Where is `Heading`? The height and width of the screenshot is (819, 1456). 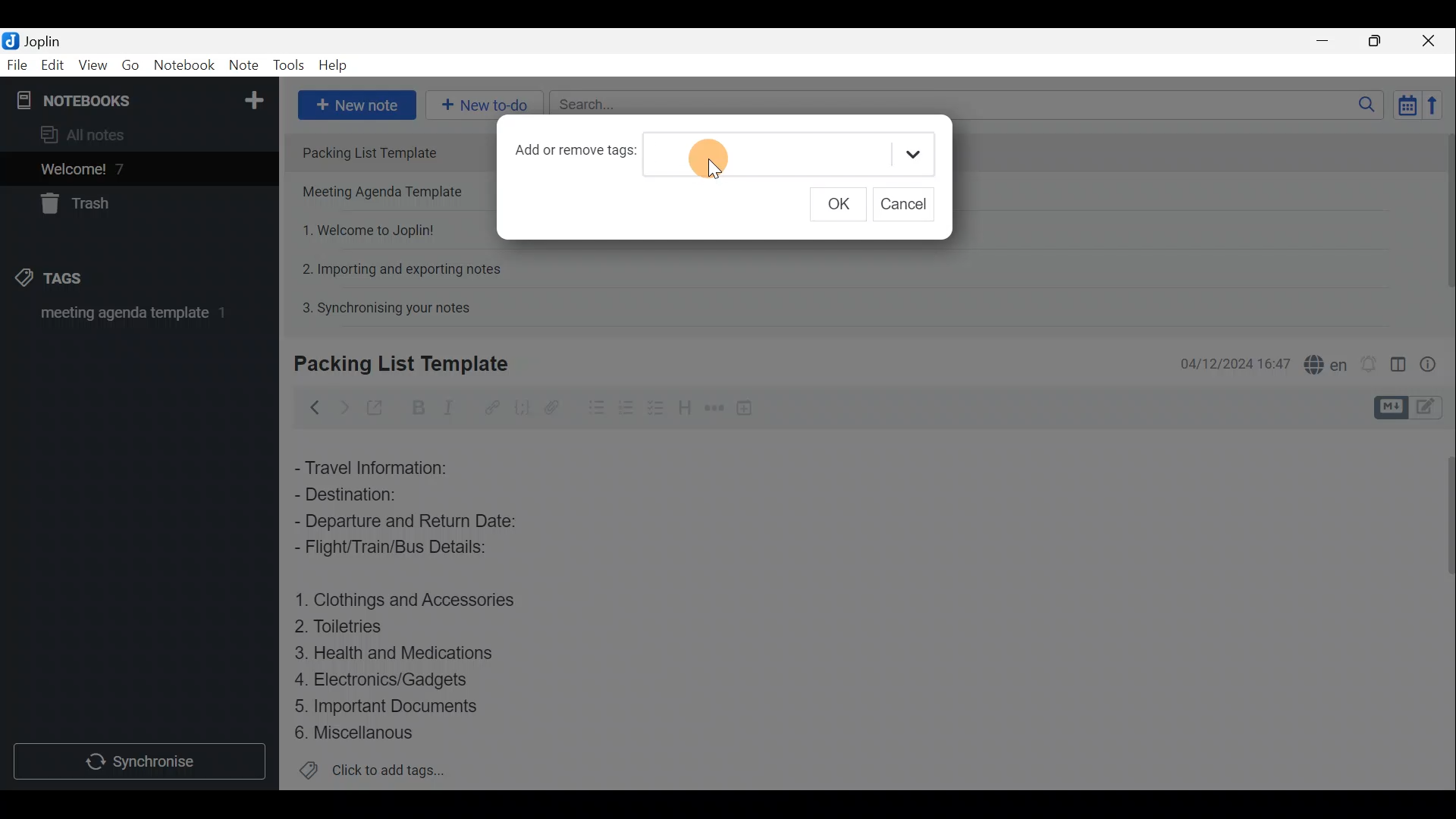
Heading is located at coordinates (686, 406).